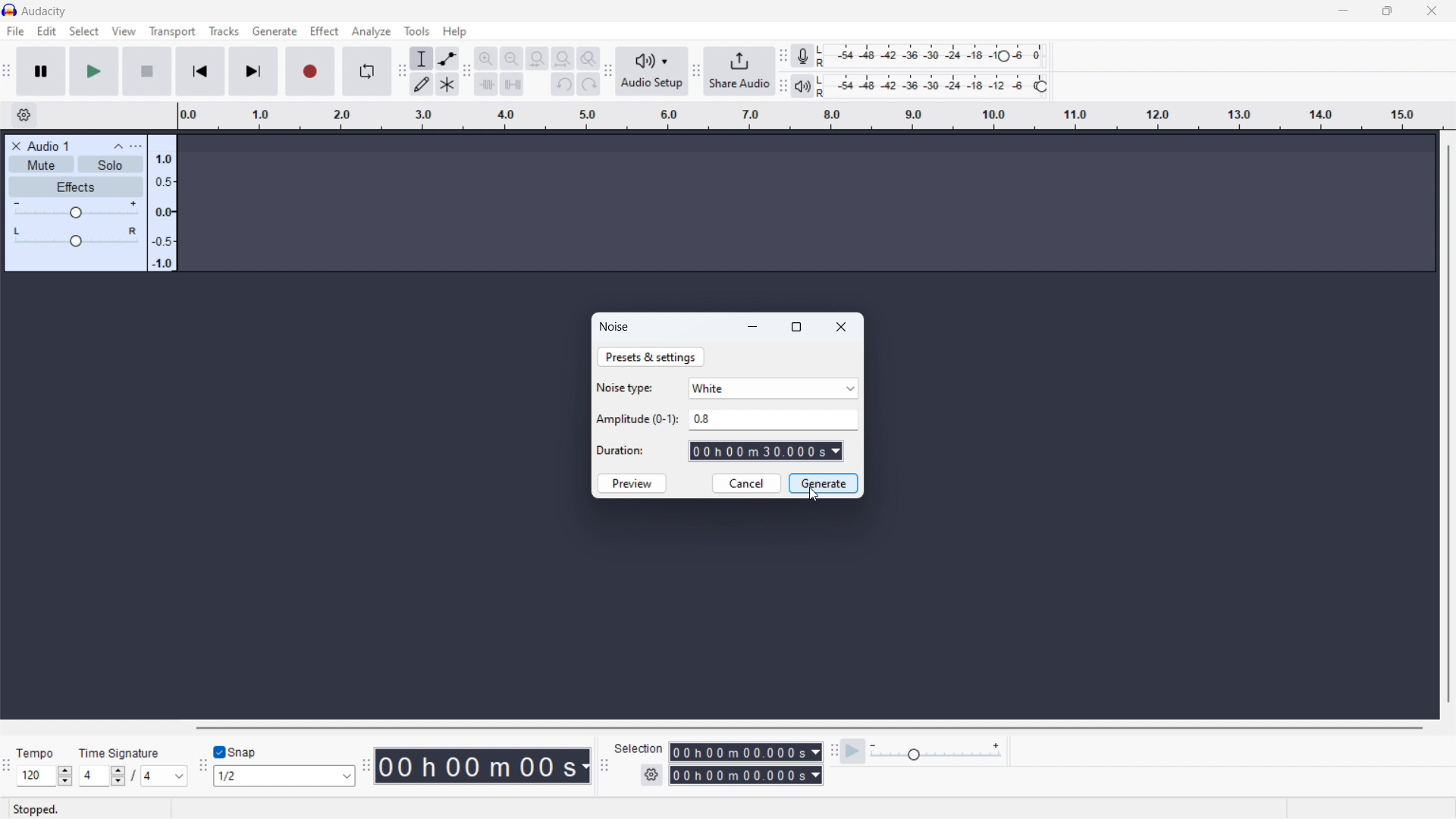 The image size is (1456, 819). Describe the element at coordinates (745, 752) in the screenshot. I see `start time` at that location.